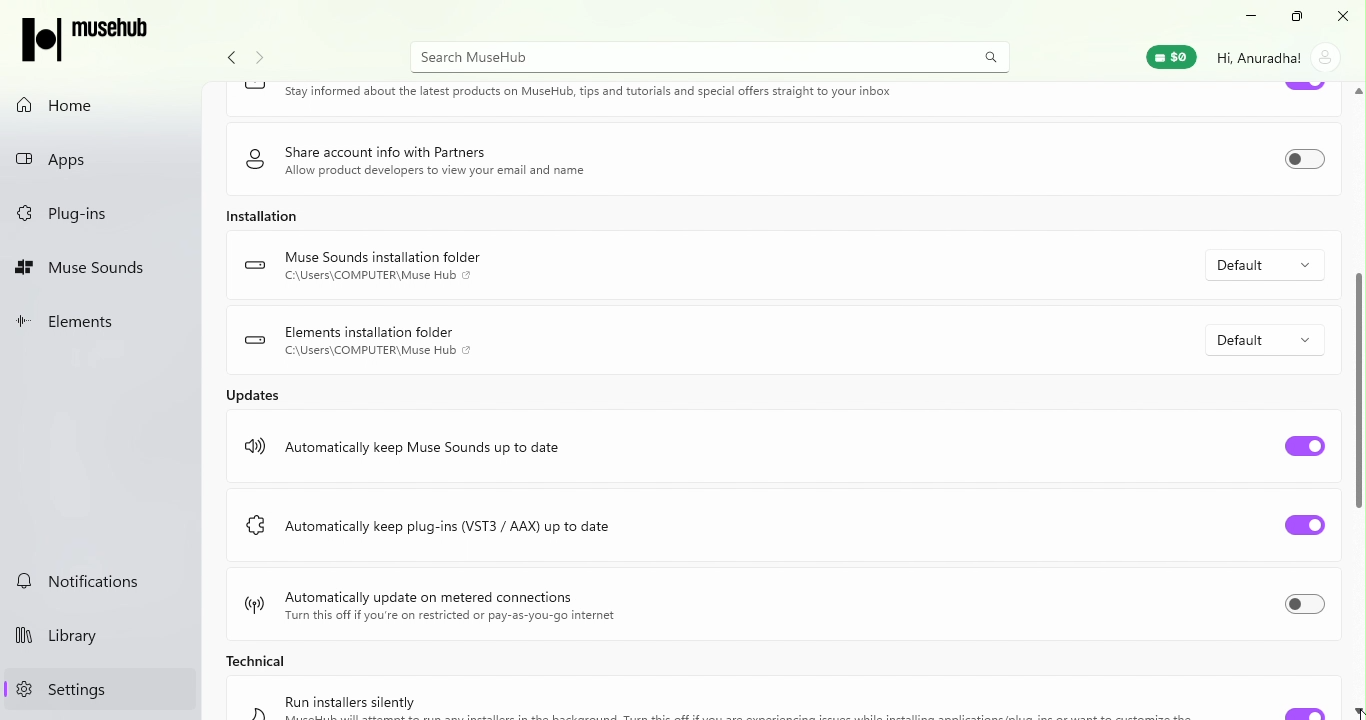 The image size is (1366, 720). Describe the element at coordinates (1303, 89) in the screenshot. I see `Toggle` at that location.